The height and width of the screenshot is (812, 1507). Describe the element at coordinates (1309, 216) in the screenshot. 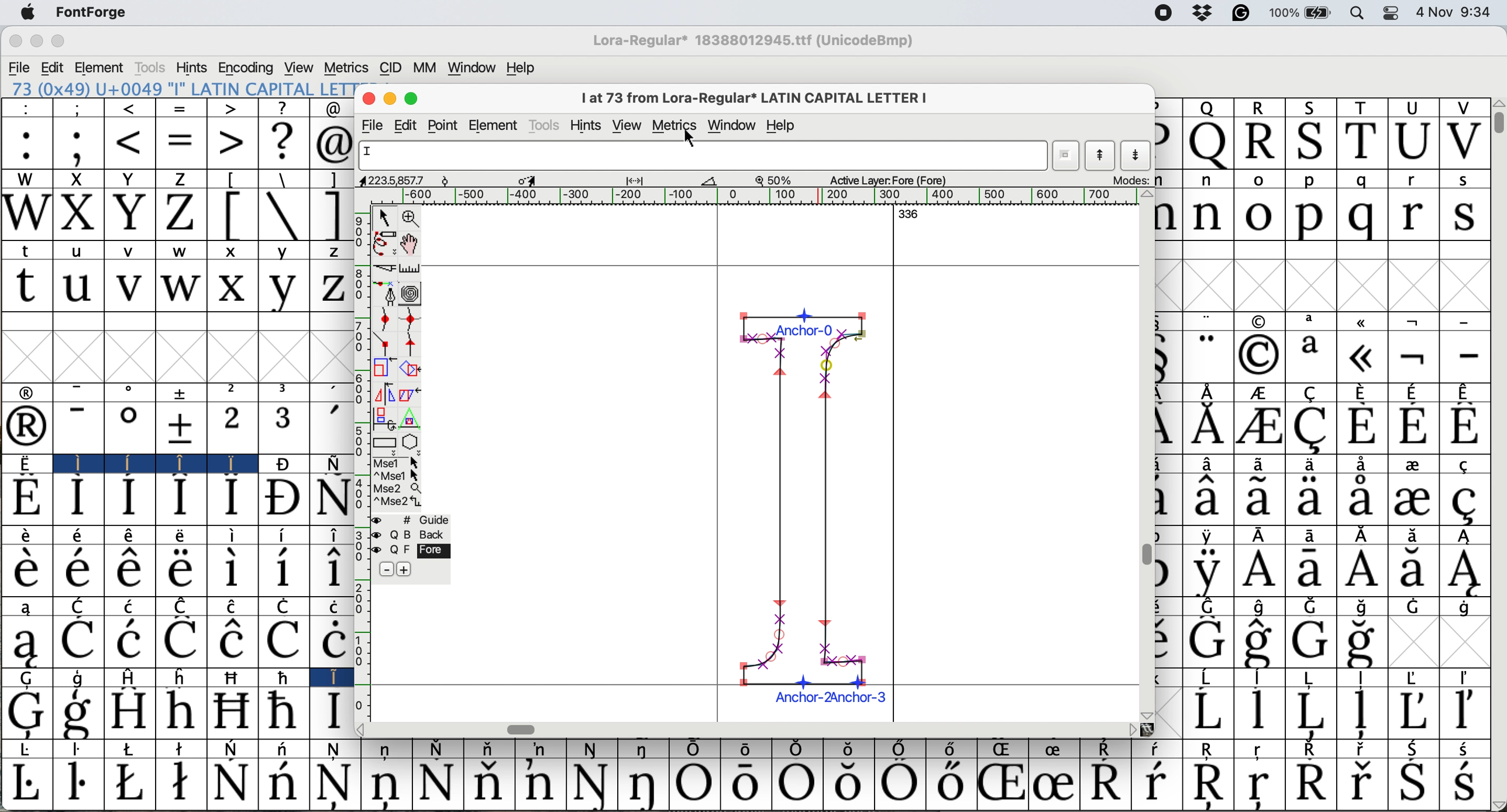

I see `p` at that location.